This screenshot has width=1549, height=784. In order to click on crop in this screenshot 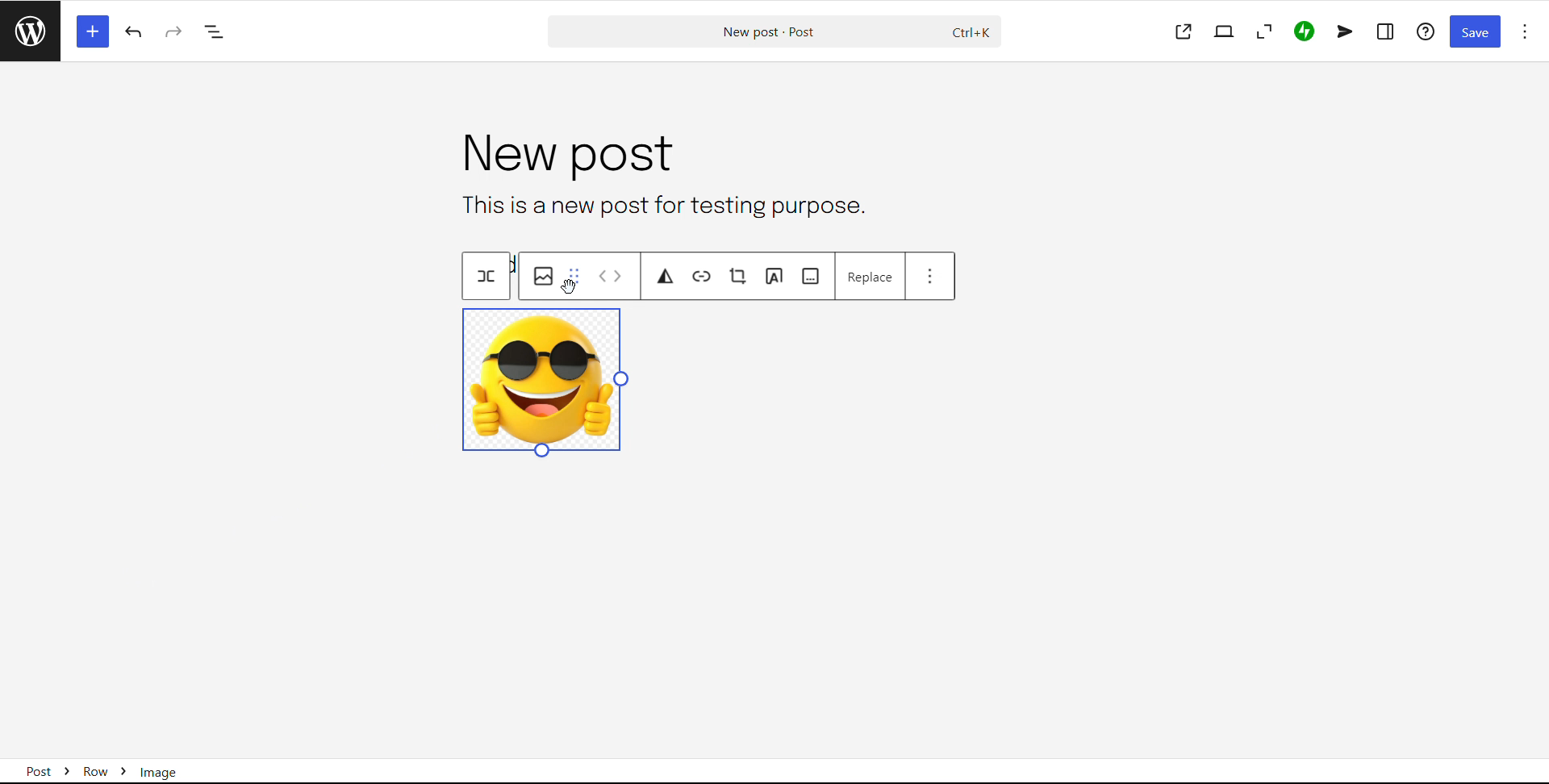, I will do `click(739, 276)`.